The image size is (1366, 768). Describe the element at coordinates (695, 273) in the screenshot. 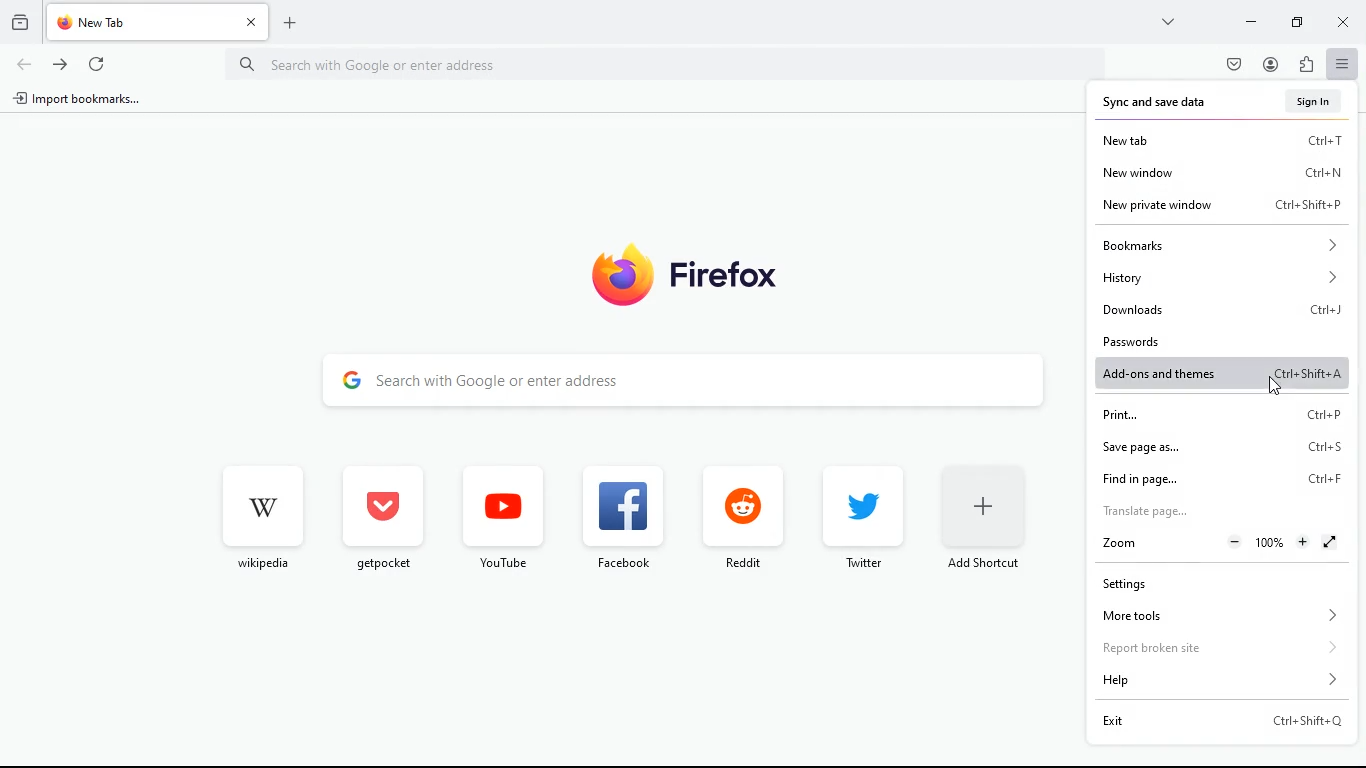

I see `firefox` at that location.